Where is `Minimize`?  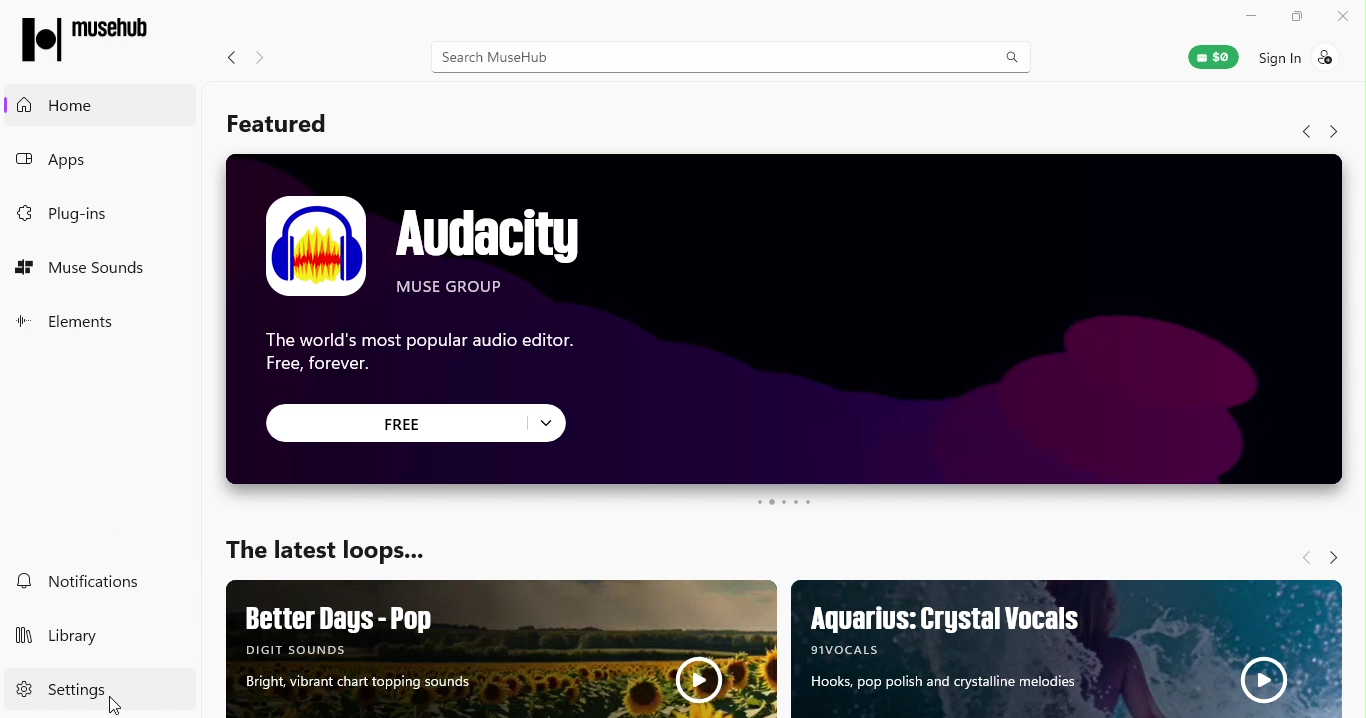
Minimize is located at coordinates (1250, 15).